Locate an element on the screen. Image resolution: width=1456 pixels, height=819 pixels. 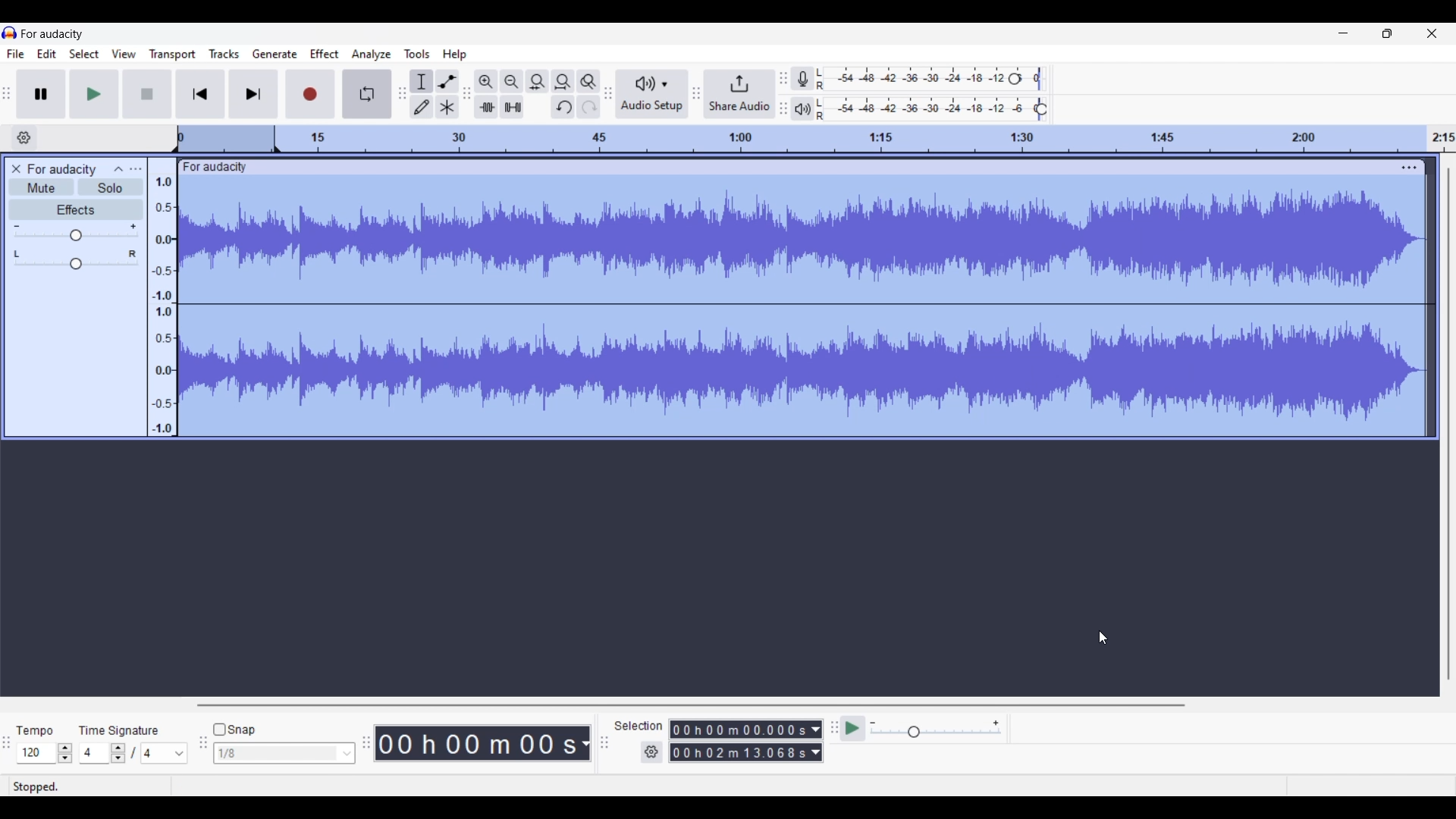
Selection tool is located at coordinates (422, 81).